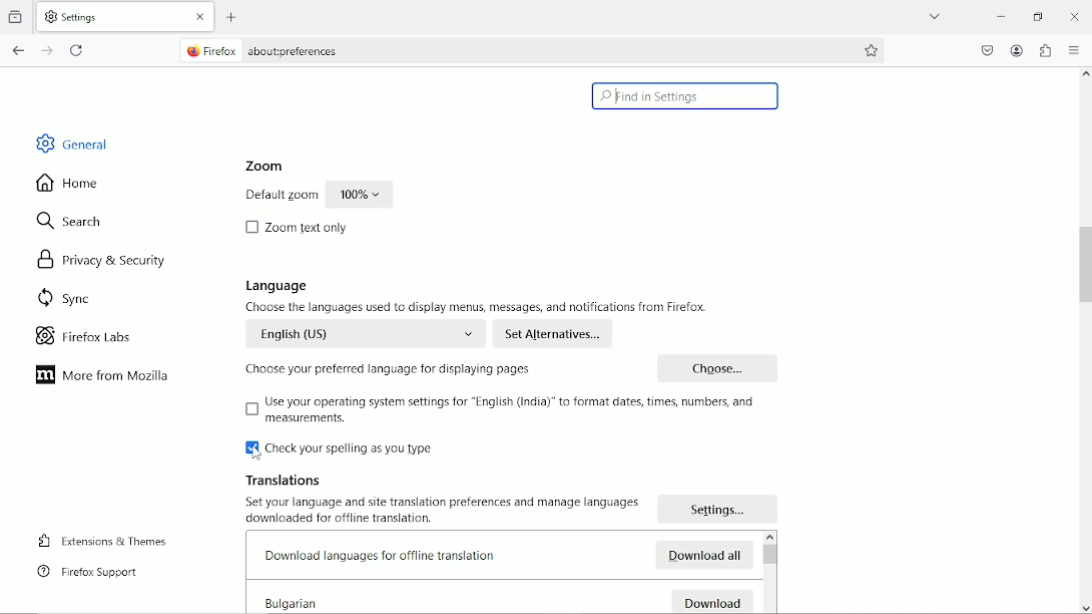  What do you see at coordinates (267, 164) in the screenshot?
I see `Zoom` at bounding box center [267, 164].